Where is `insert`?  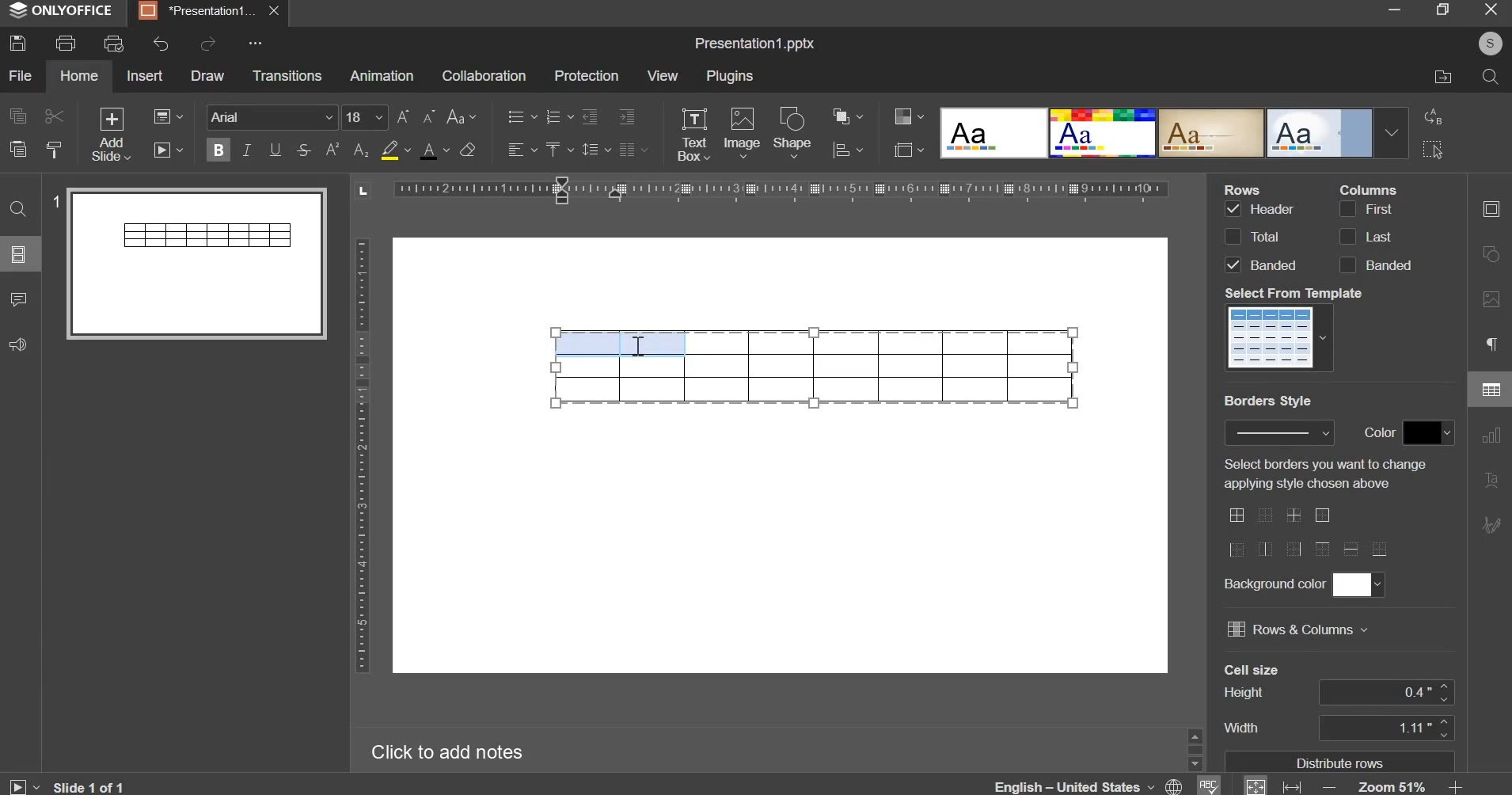
insert is located at coordinates (145, 74).